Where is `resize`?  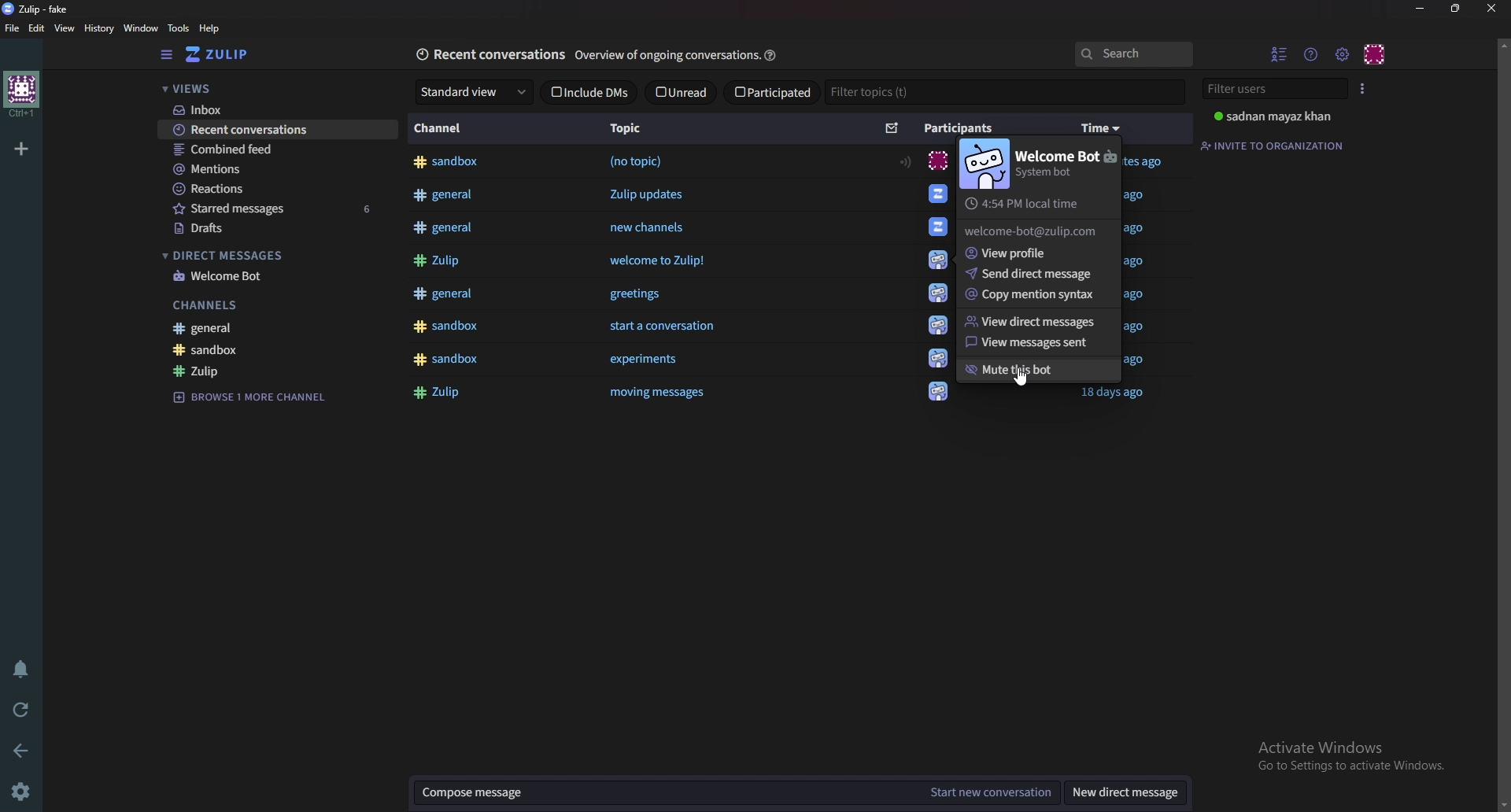 resize is located at coordinates (1455, 8).